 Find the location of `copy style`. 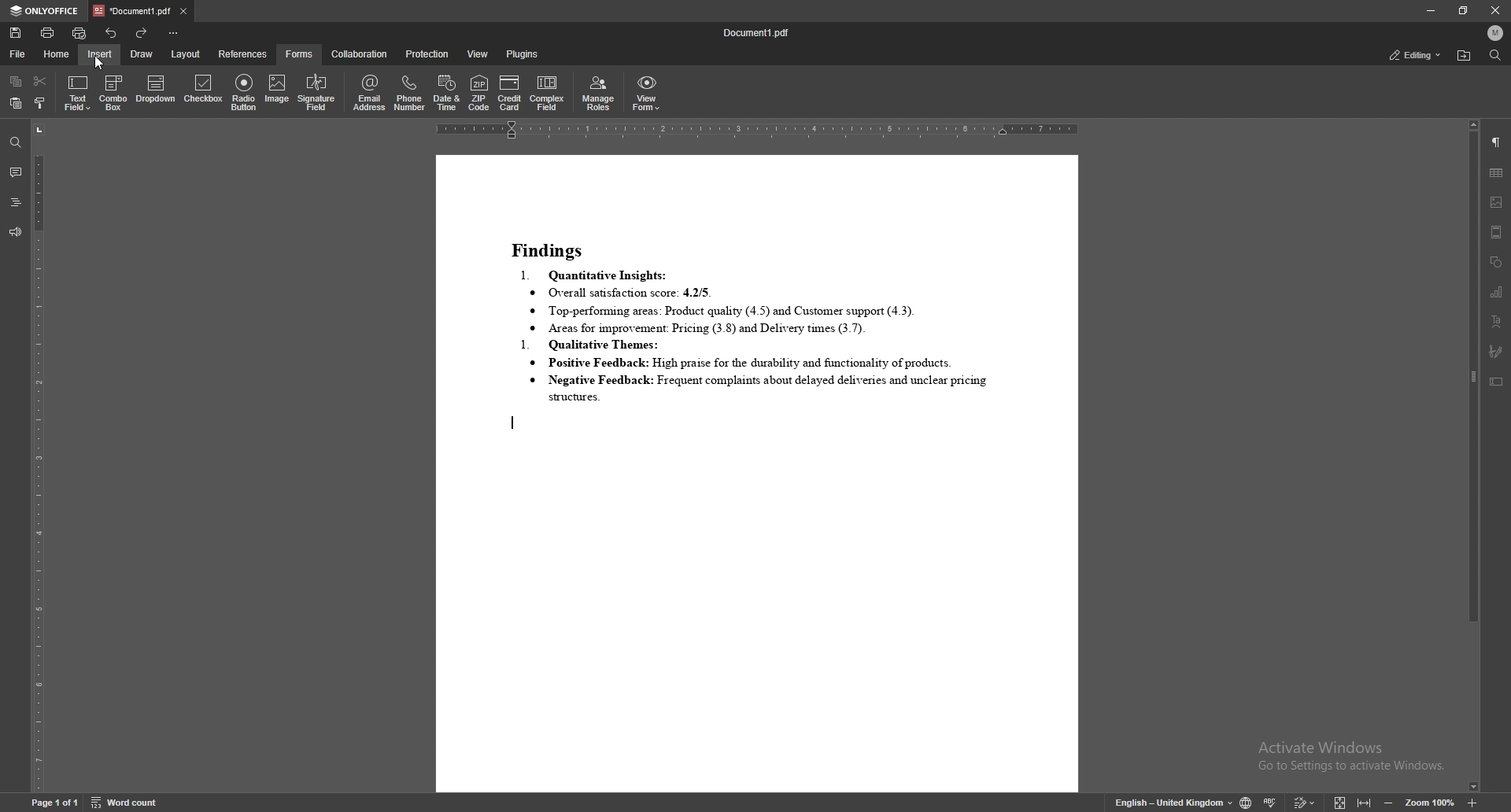

copy style is located at coordinates (40, 105).